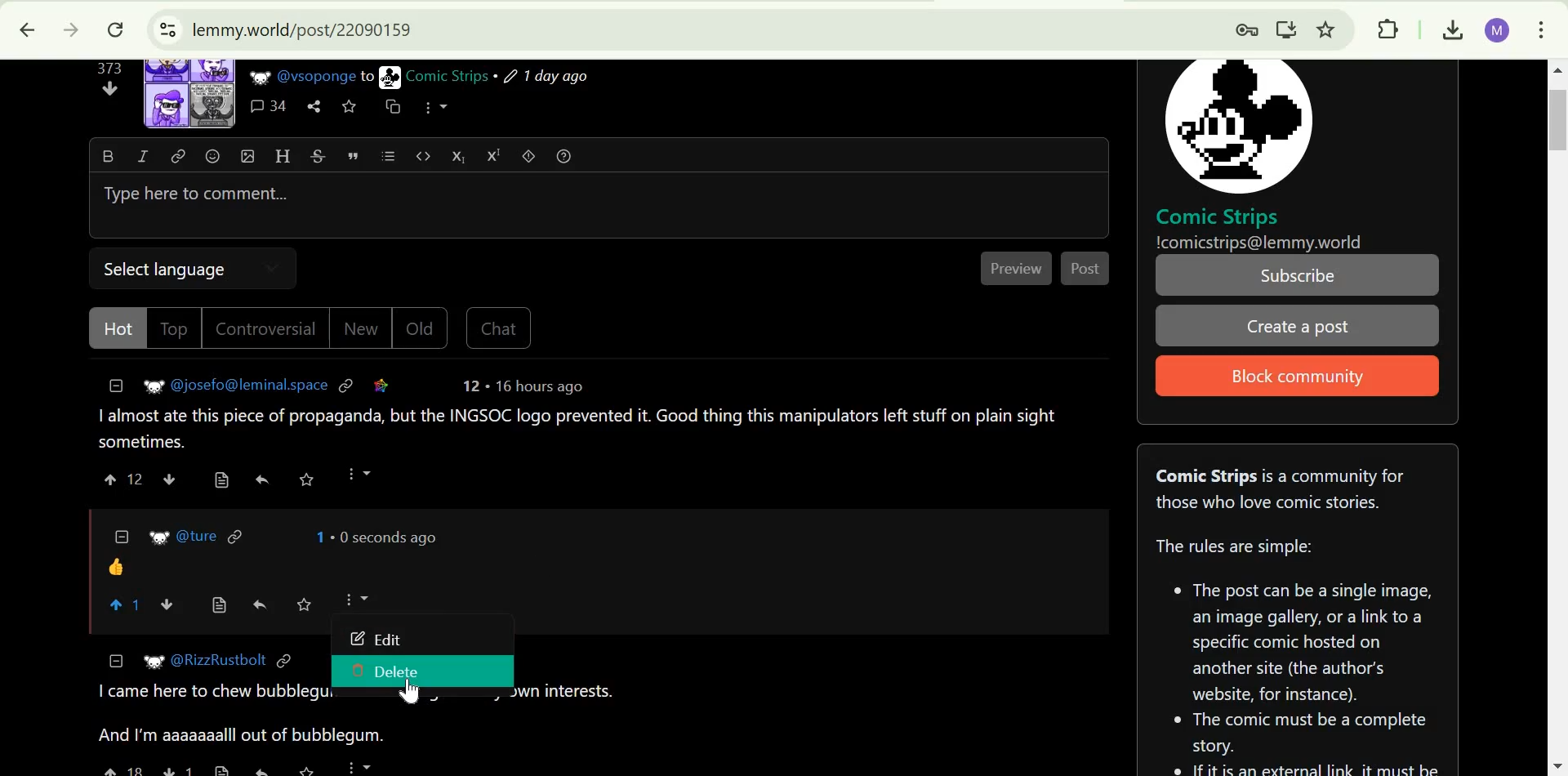 The width and height of the screenshot is (1568, 776). Describe the element at coordinates (387, 670) in the screenshot. I see `Delete` at that location.